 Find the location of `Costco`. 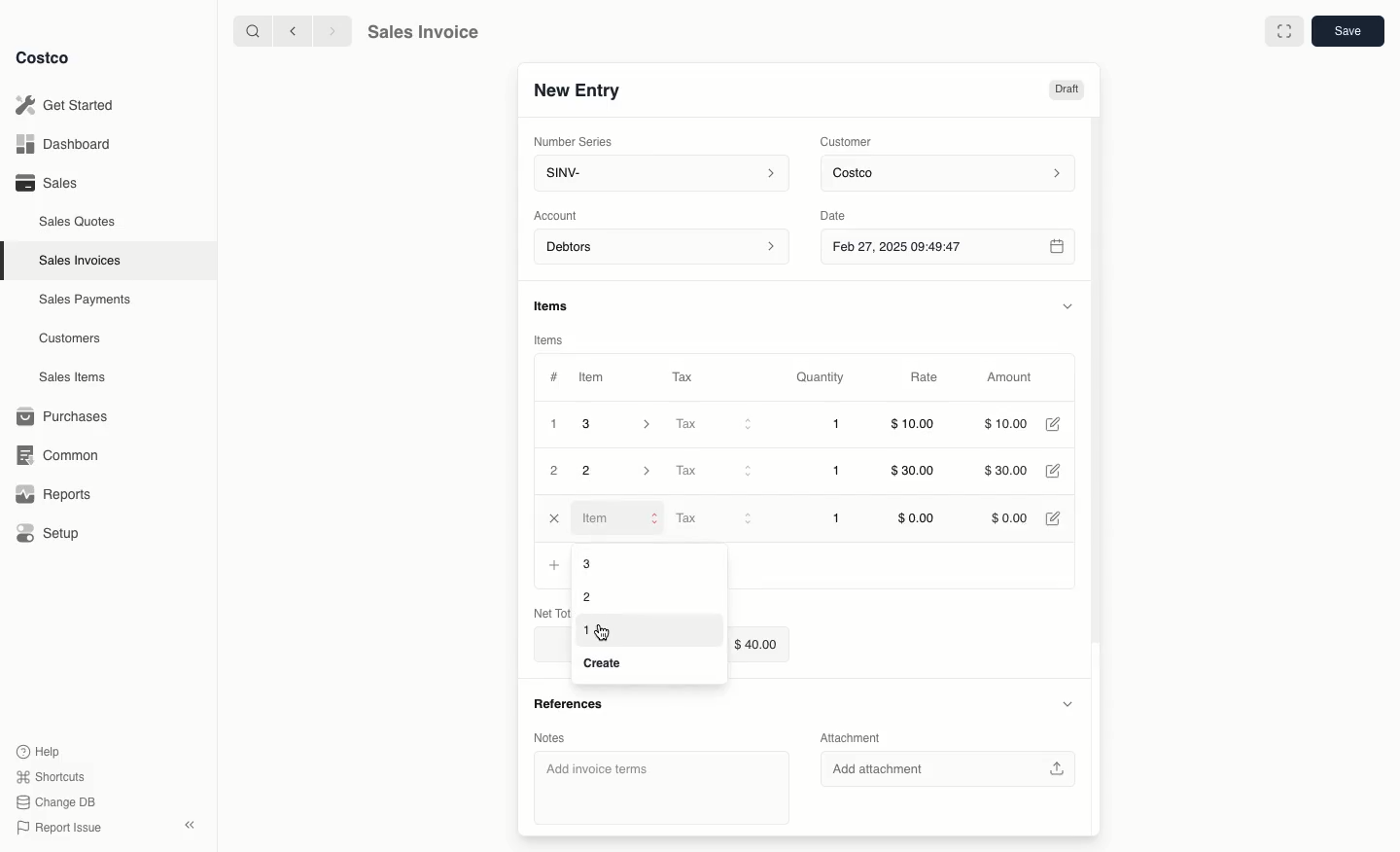

Costco is located at coordinates (951, 174).